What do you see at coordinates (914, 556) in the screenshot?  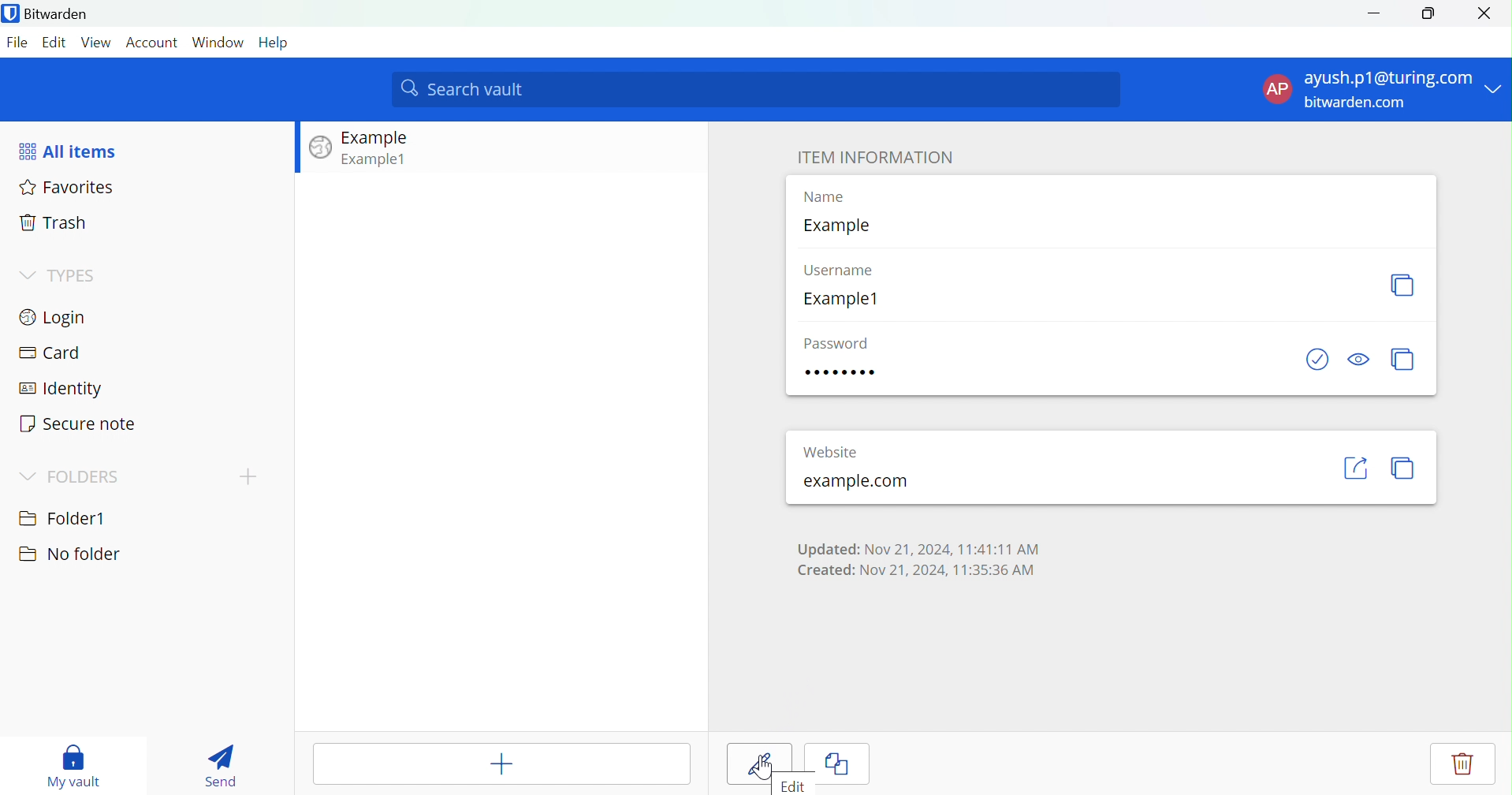 I see `Updated: Nov 21, 2024, 11:41:11 AM
Created: Nov 21, 2024, 11:35:36 AM` at bounding box center [914, 556].